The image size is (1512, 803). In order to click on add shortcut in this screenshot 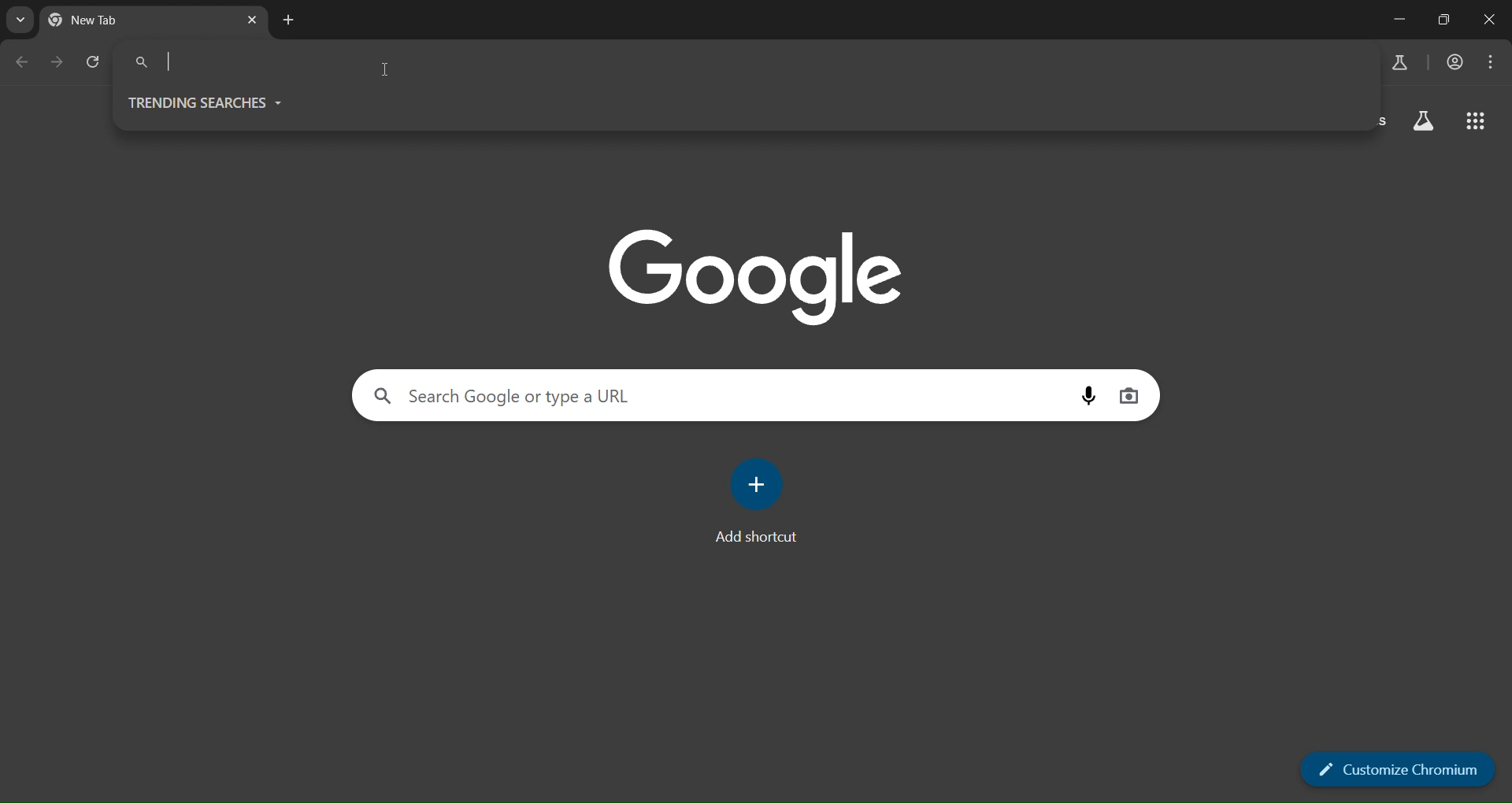, I will do `click(754, 501)`.